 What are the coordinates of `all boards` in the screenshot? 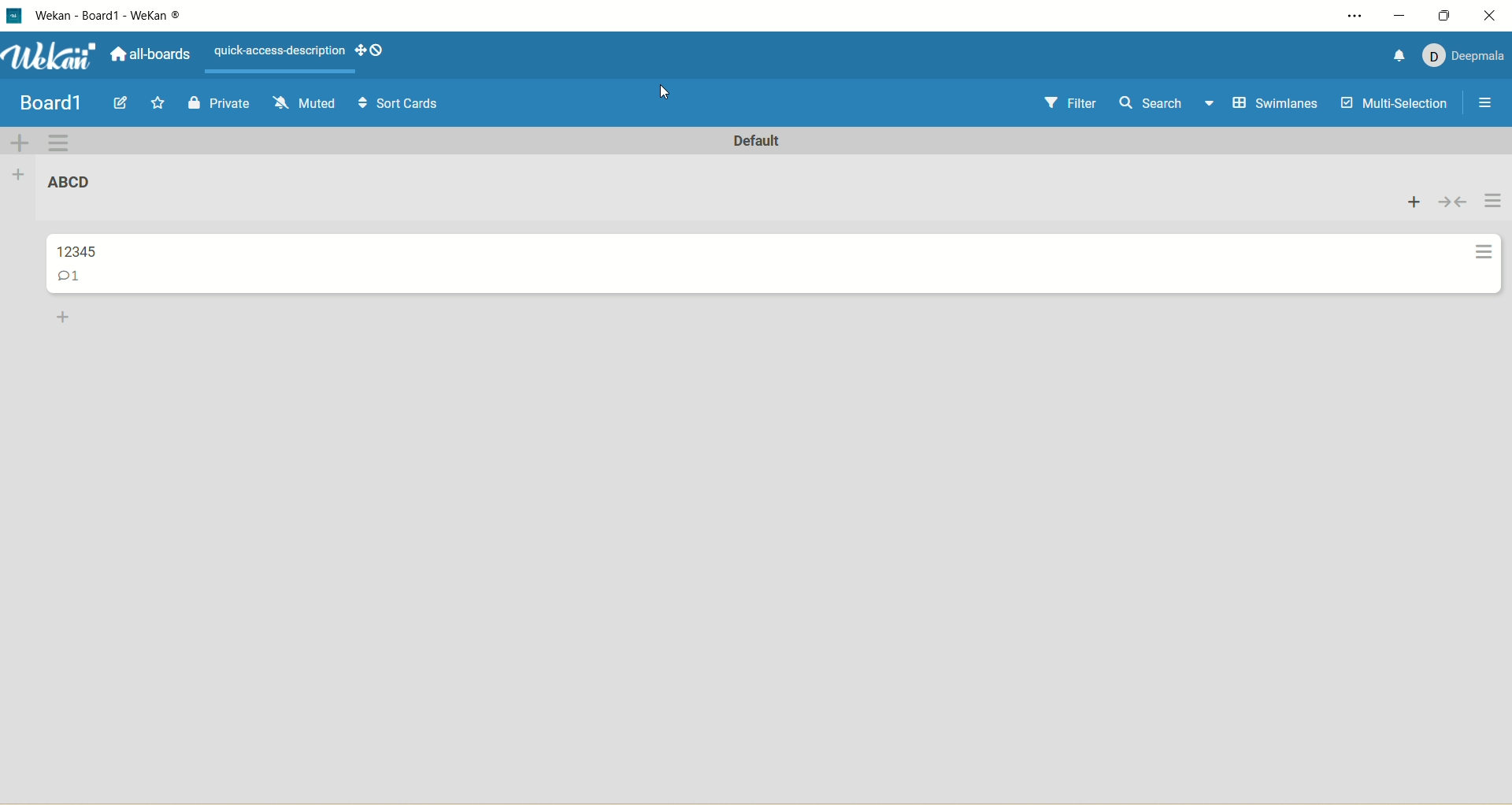 It's located at (149, 57).